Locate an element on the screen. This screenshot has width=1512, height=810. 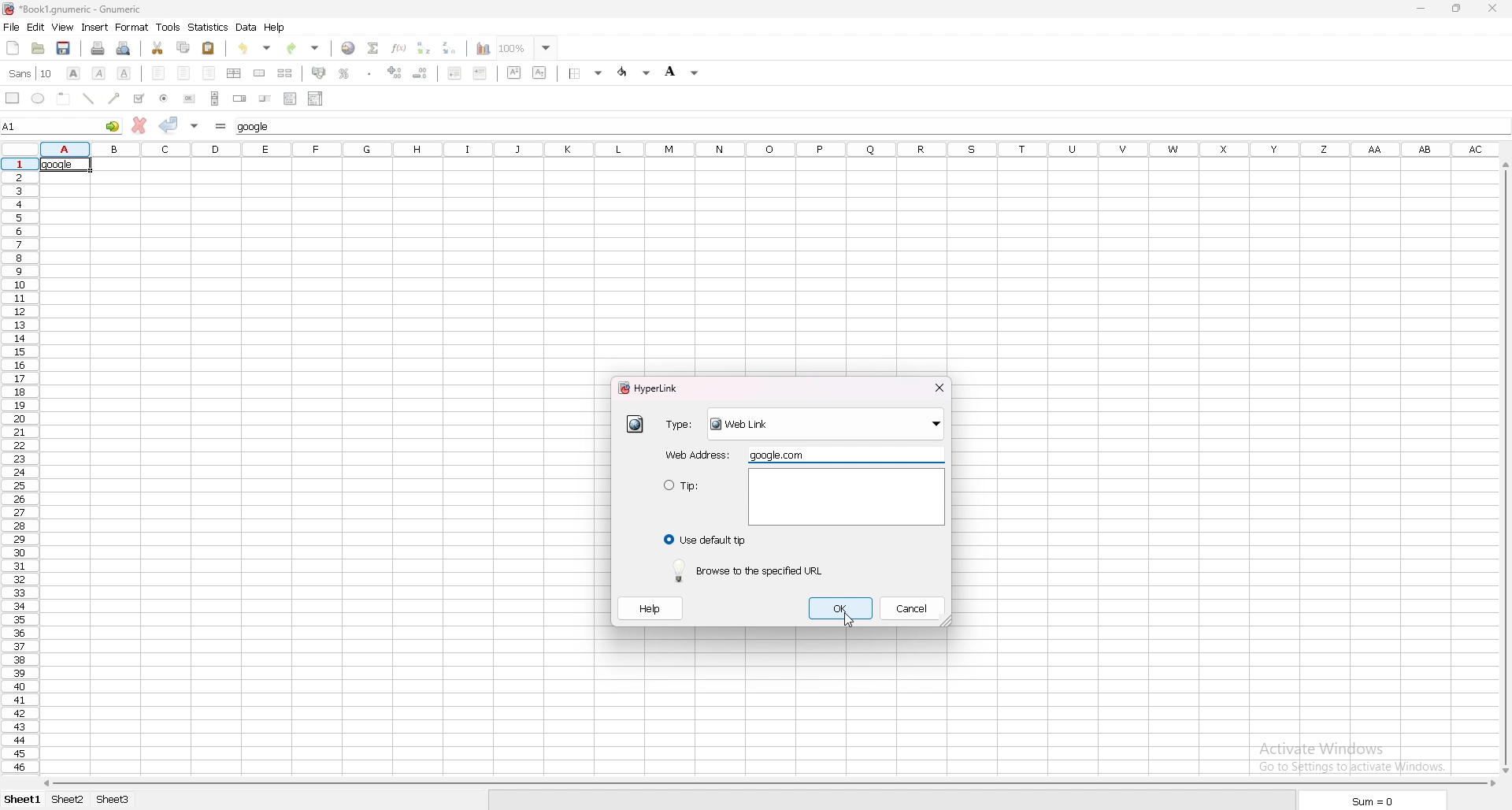
superscript is located at coordinates (515, 72).